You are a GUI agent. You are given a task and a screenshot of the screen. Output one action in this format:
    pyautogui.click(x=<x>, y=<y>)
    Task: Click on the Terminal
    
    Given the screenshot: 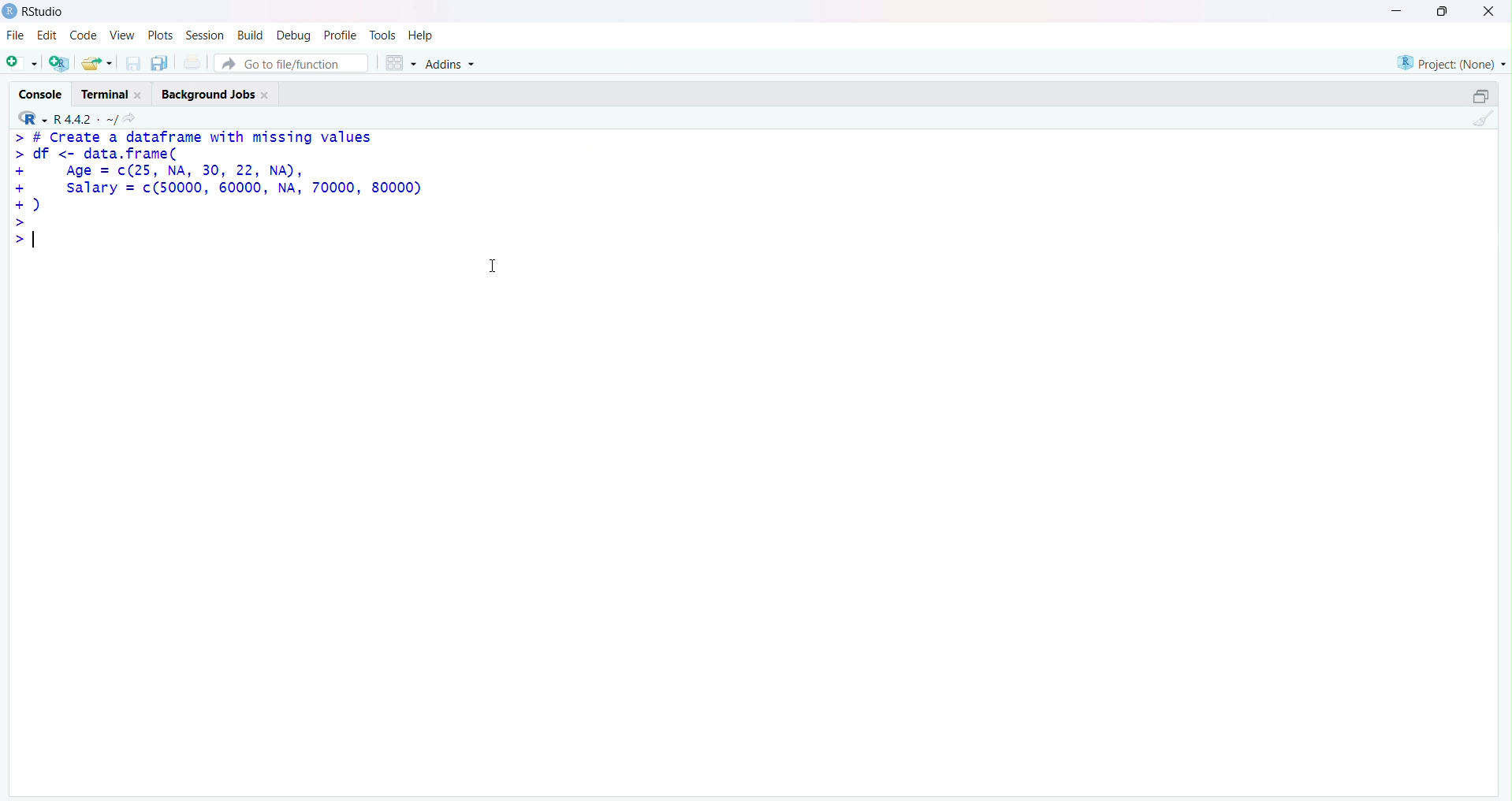 What is the action you would take?
    pyautogui.click(x=110, y=91)
    